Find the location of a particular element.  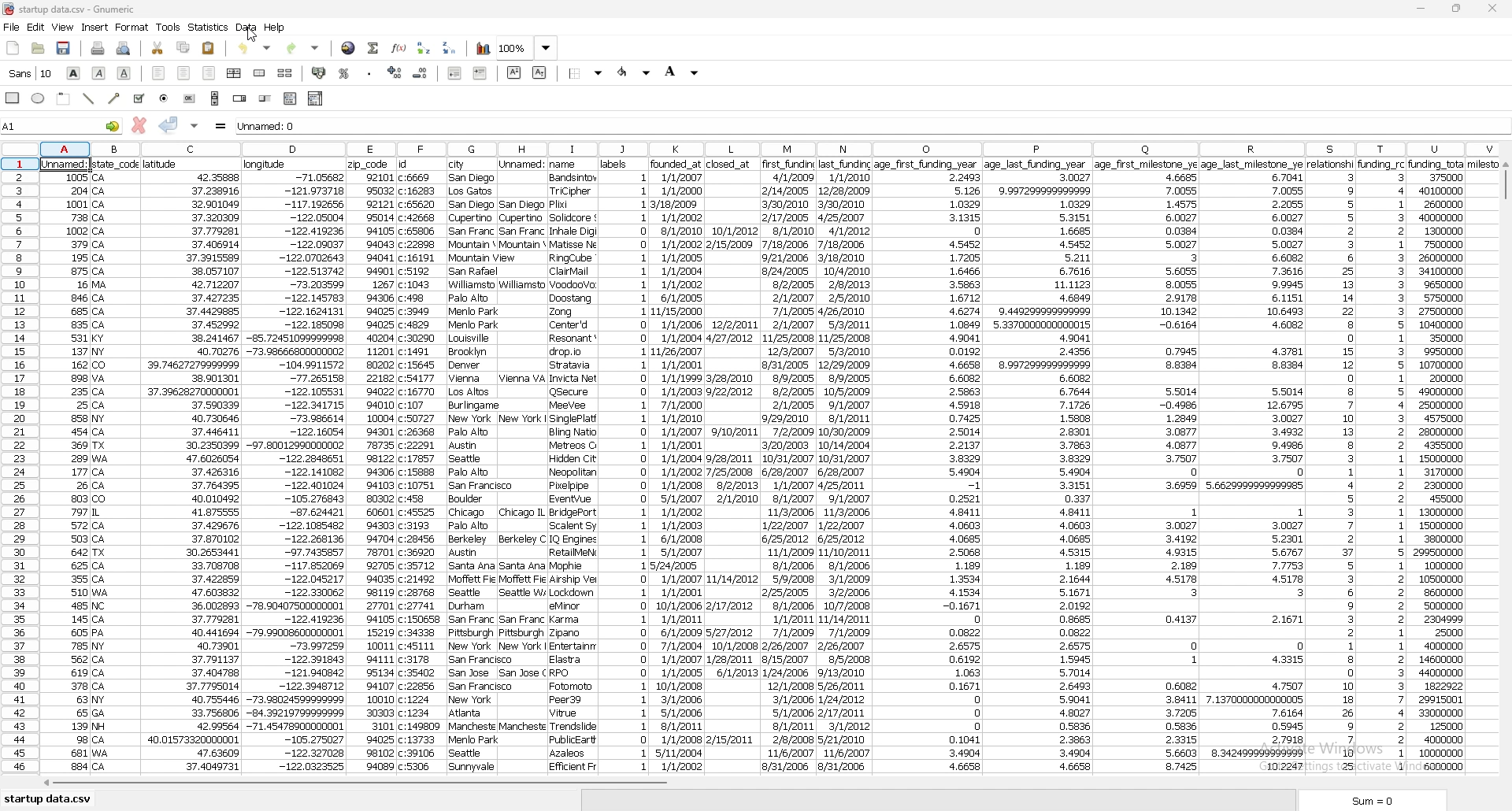

insert is located at coordinates (94, 28).